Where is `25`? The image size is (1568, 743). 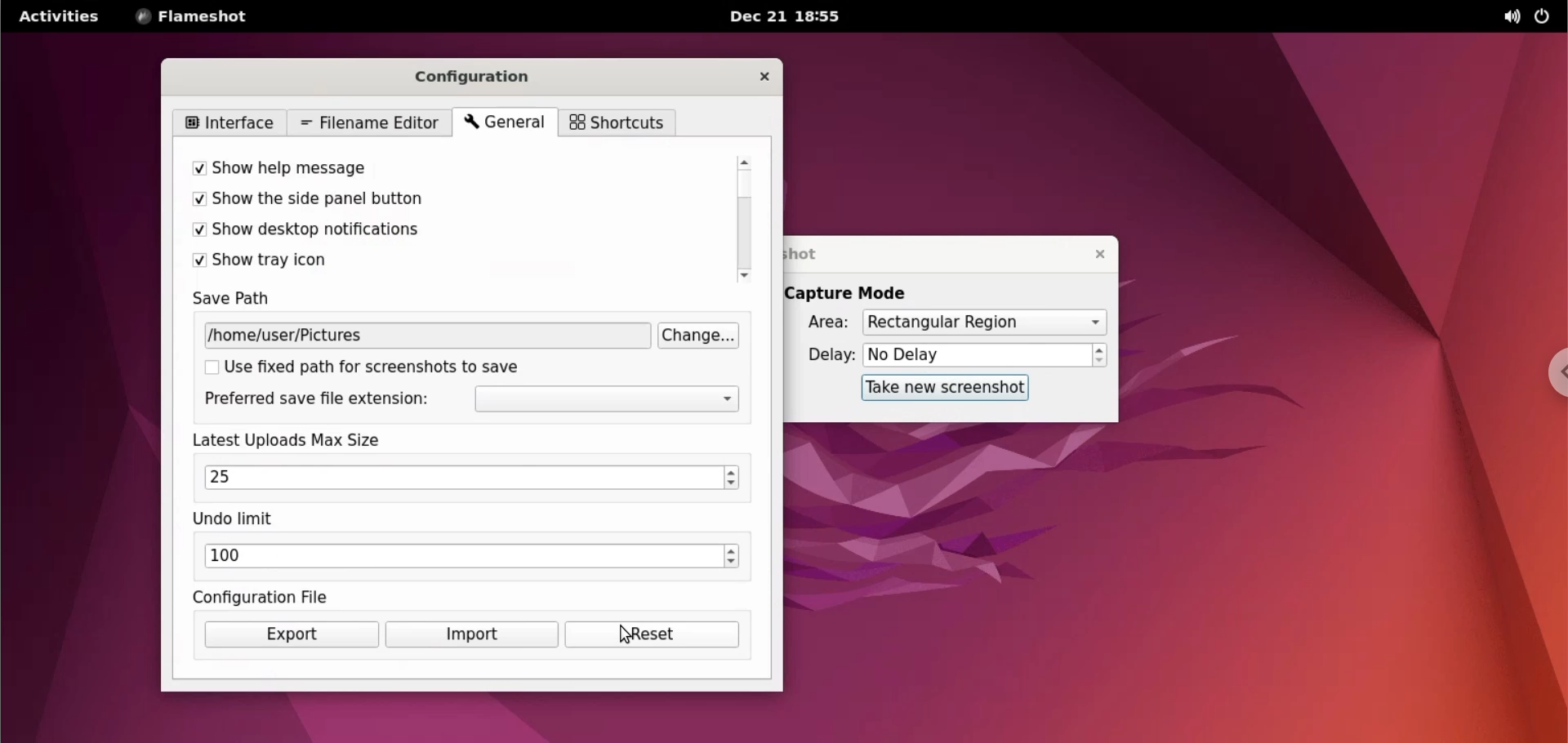 25 is located at coordinates (463, 477).